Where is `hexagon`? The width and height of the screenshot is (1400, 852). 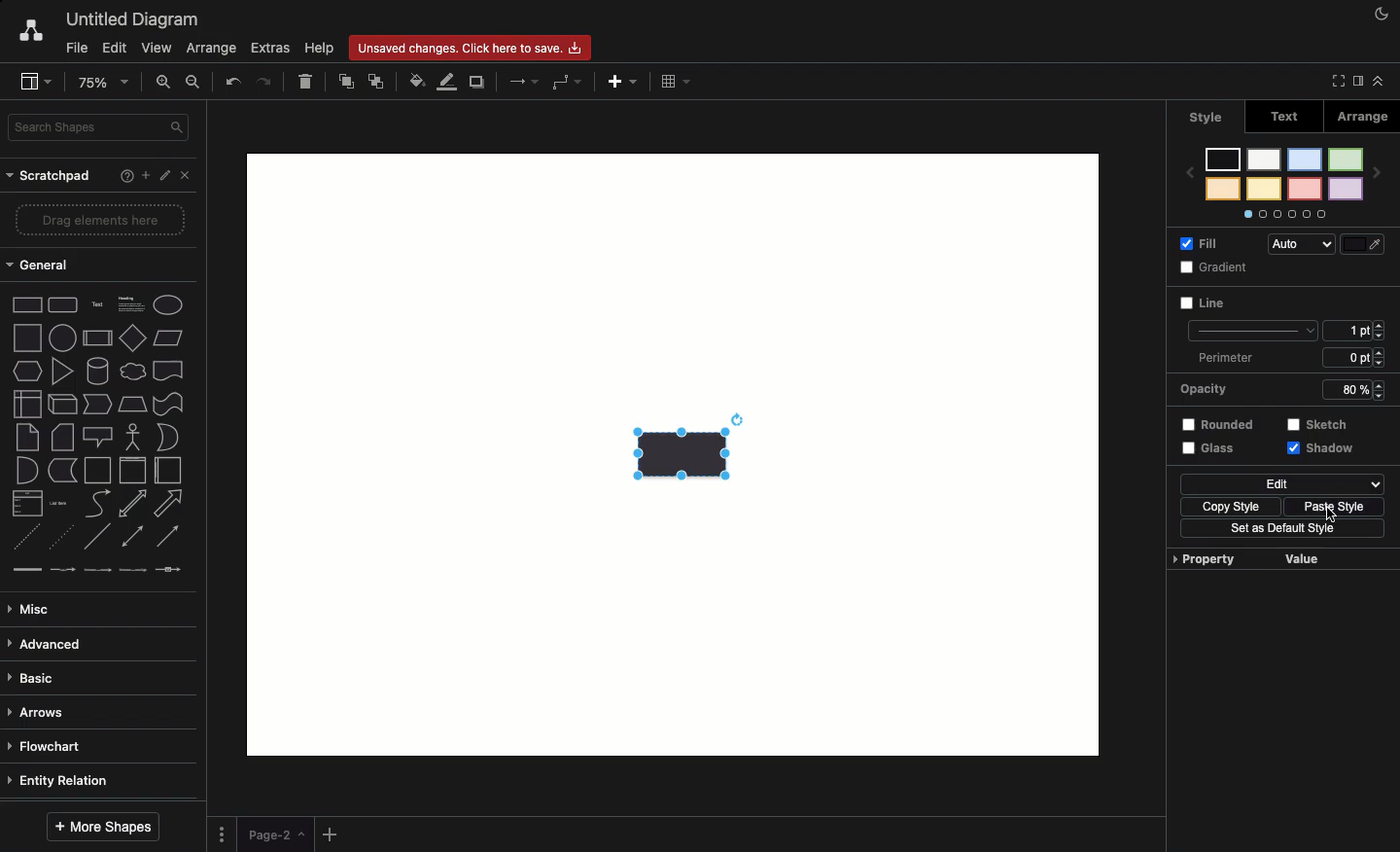 hexagon is located at coordinates (24, 371).